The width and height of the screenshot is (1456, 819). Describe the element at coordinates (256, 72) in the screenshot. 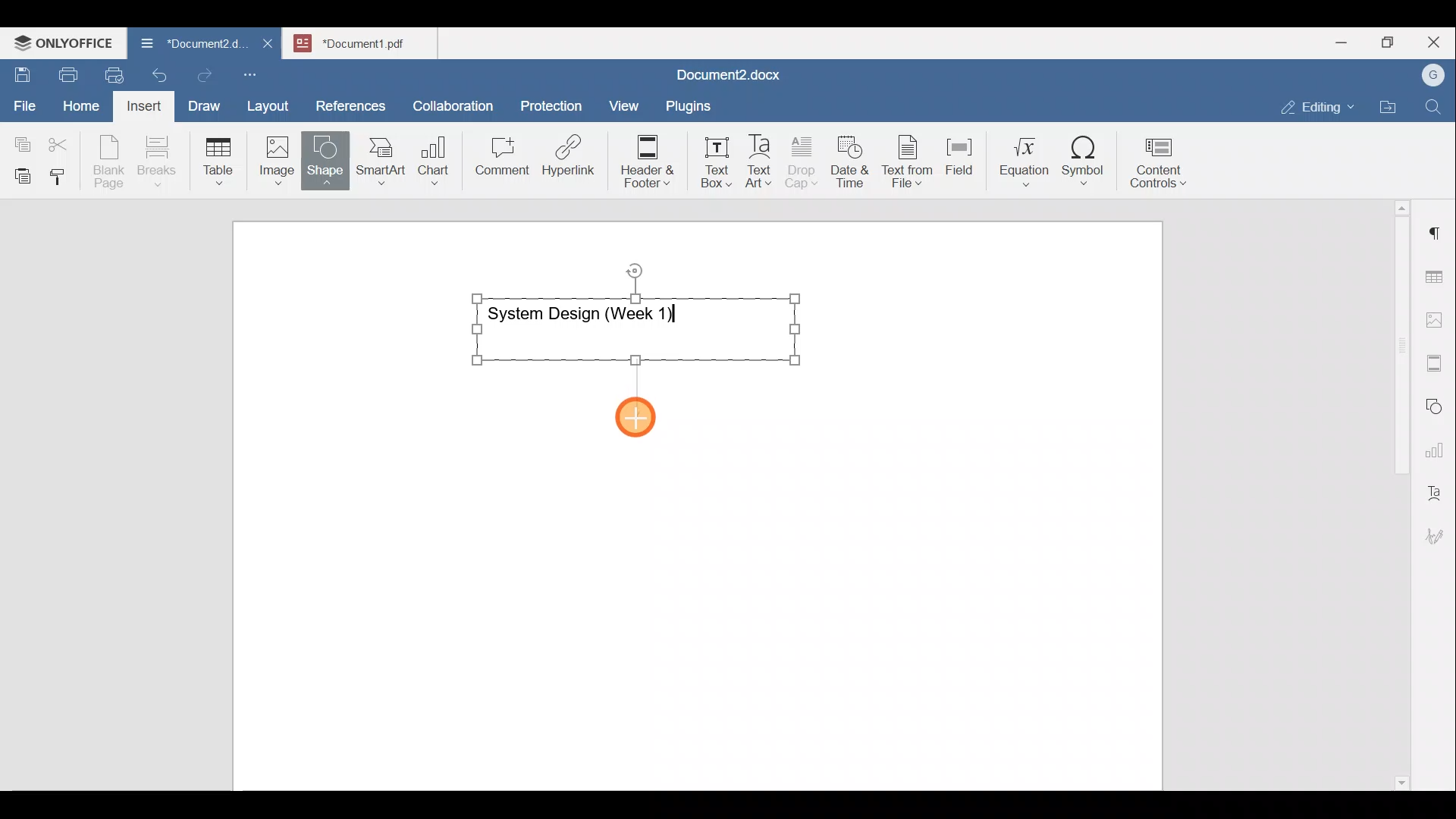

I see `Customize quick access toolbar` at that location.